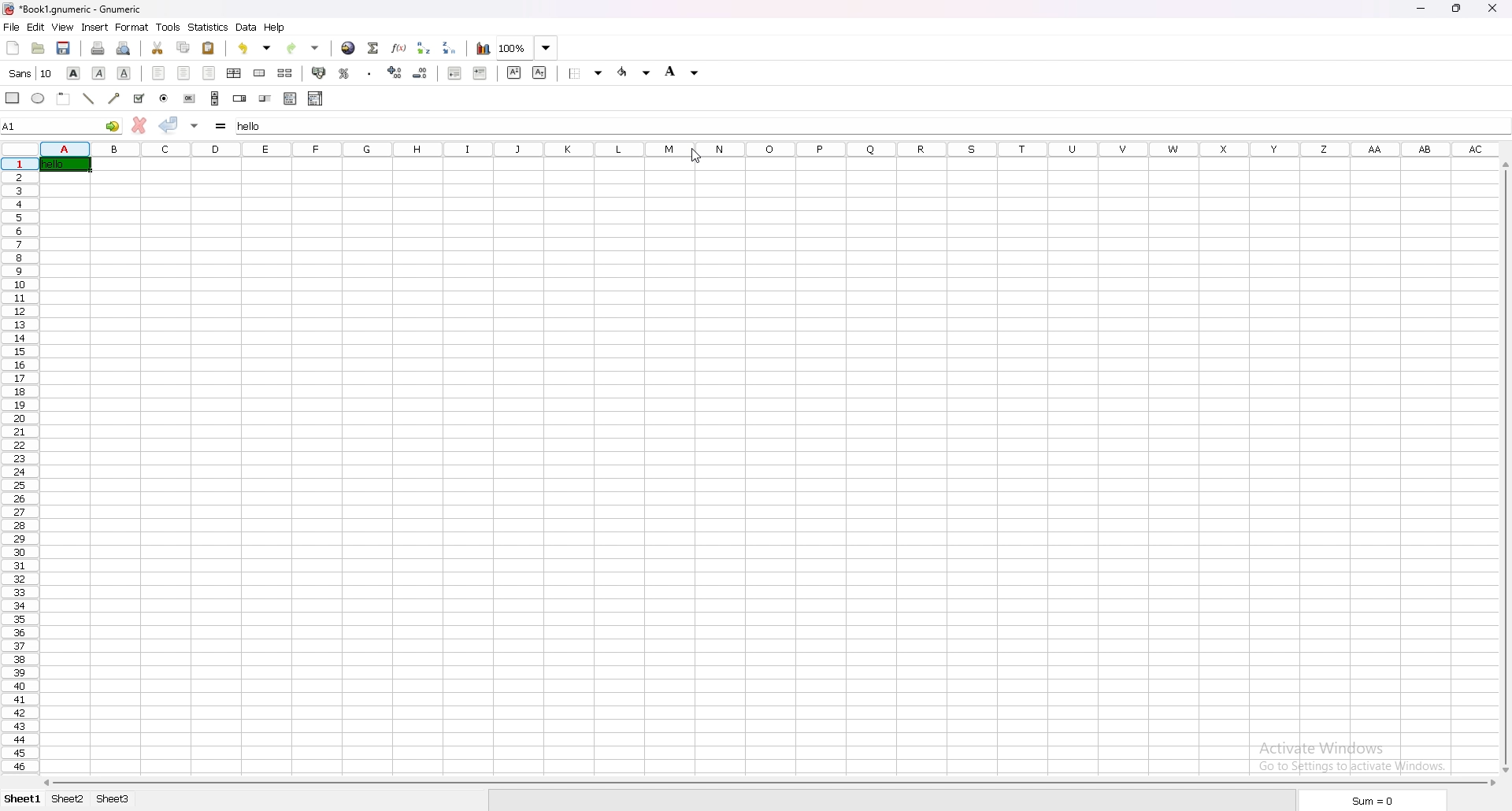  Describe the element at coordinates (31, 72) in the screenshot. I see `font` at that location.